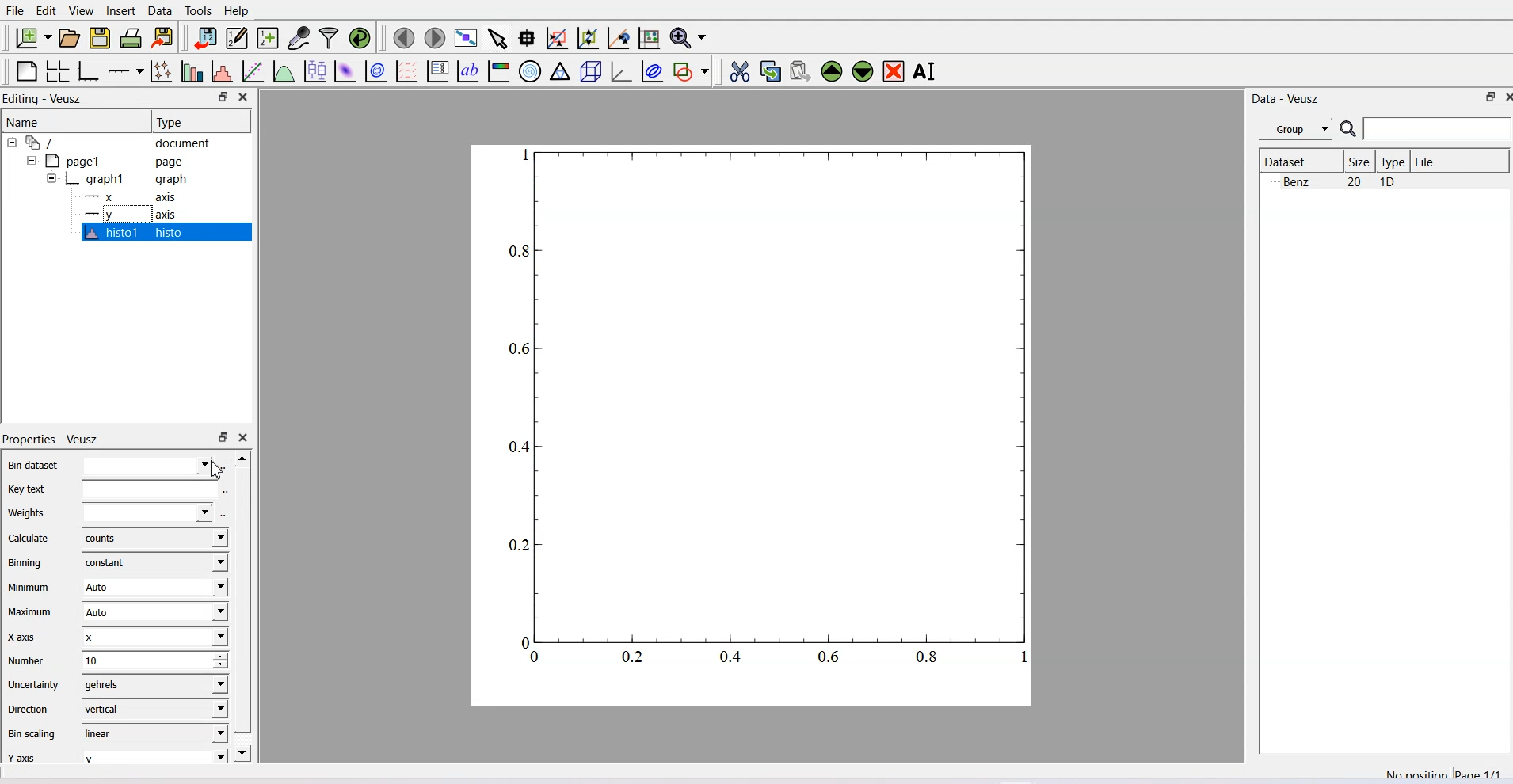 This screenshot has width=1513, height=784. I want to click on Calculate - counts, so click(115, 537).